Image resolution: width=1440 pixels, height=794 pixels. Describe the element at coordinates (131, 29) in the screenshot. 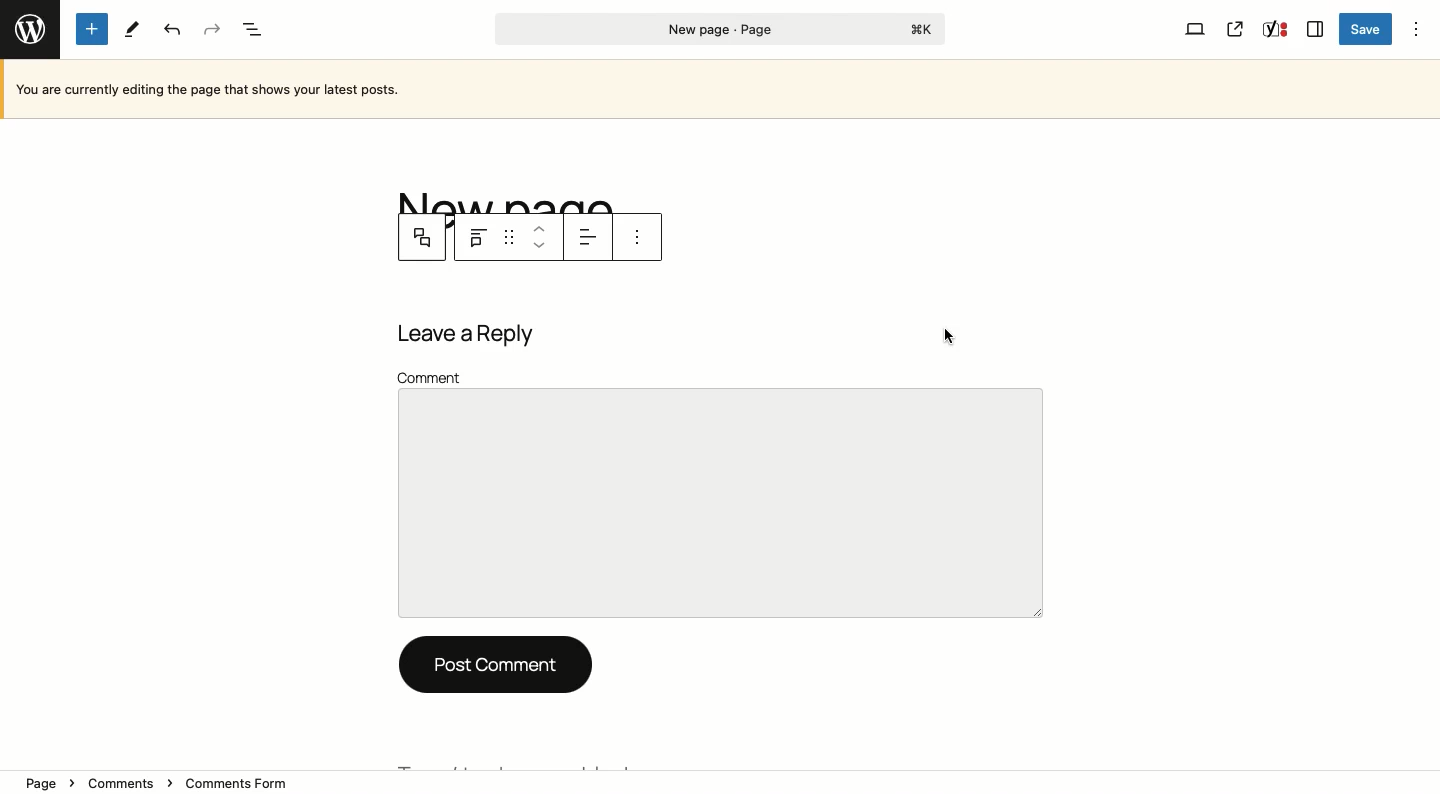

I see `Tools` at that location.